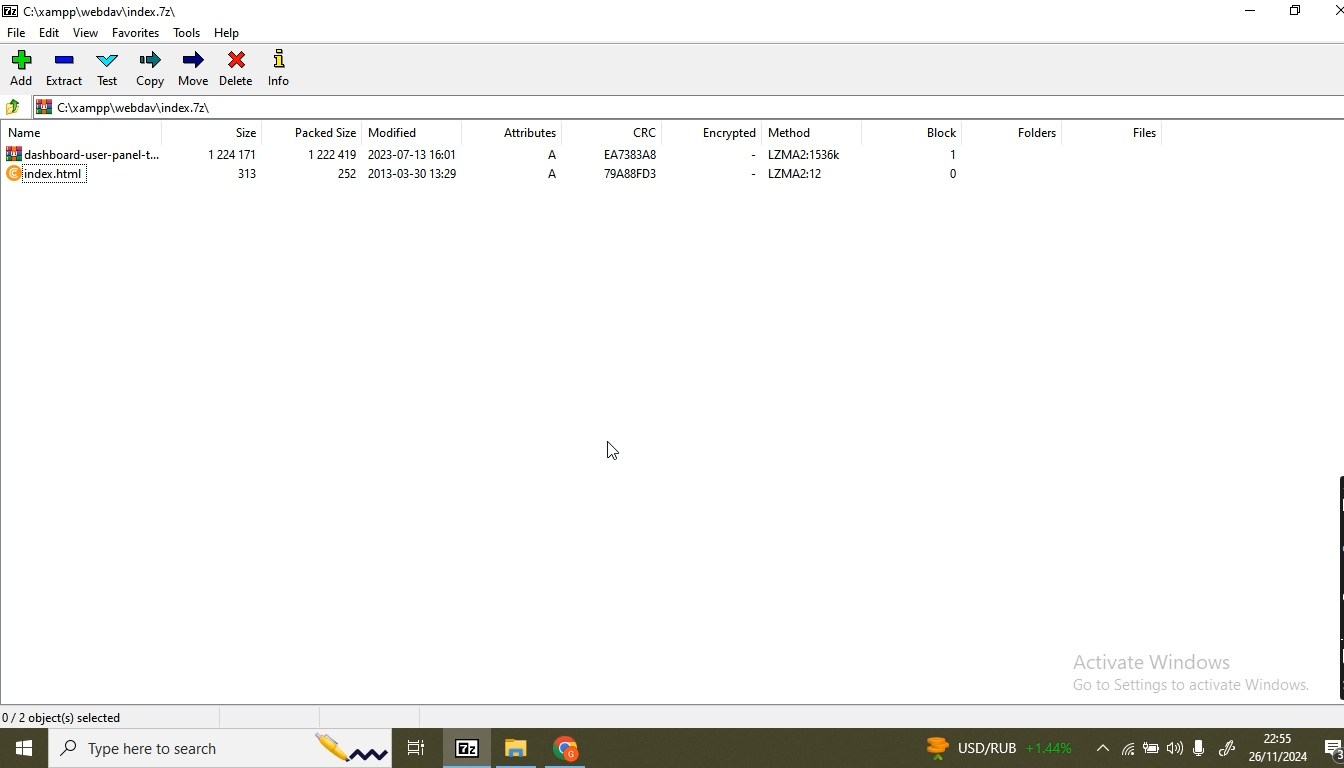 The width and height of the screenshot is (1344, 768). What do you see at coordinates (1228, 750) in the screenshot?
I see `windows ink worspace` at bounding box center [1228, 750].